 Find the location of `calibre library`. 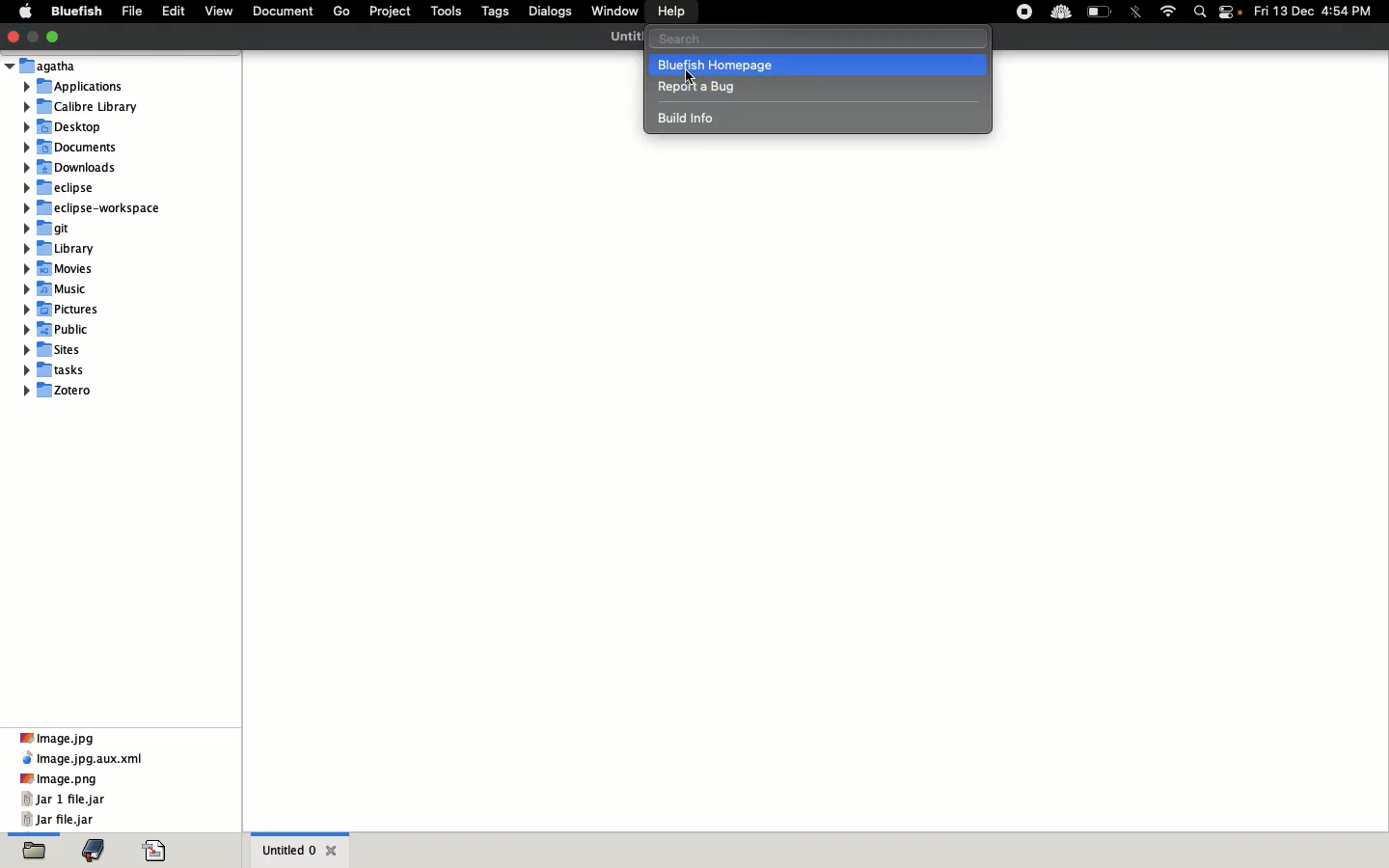

calibre library is located at coordinates (81, 106).